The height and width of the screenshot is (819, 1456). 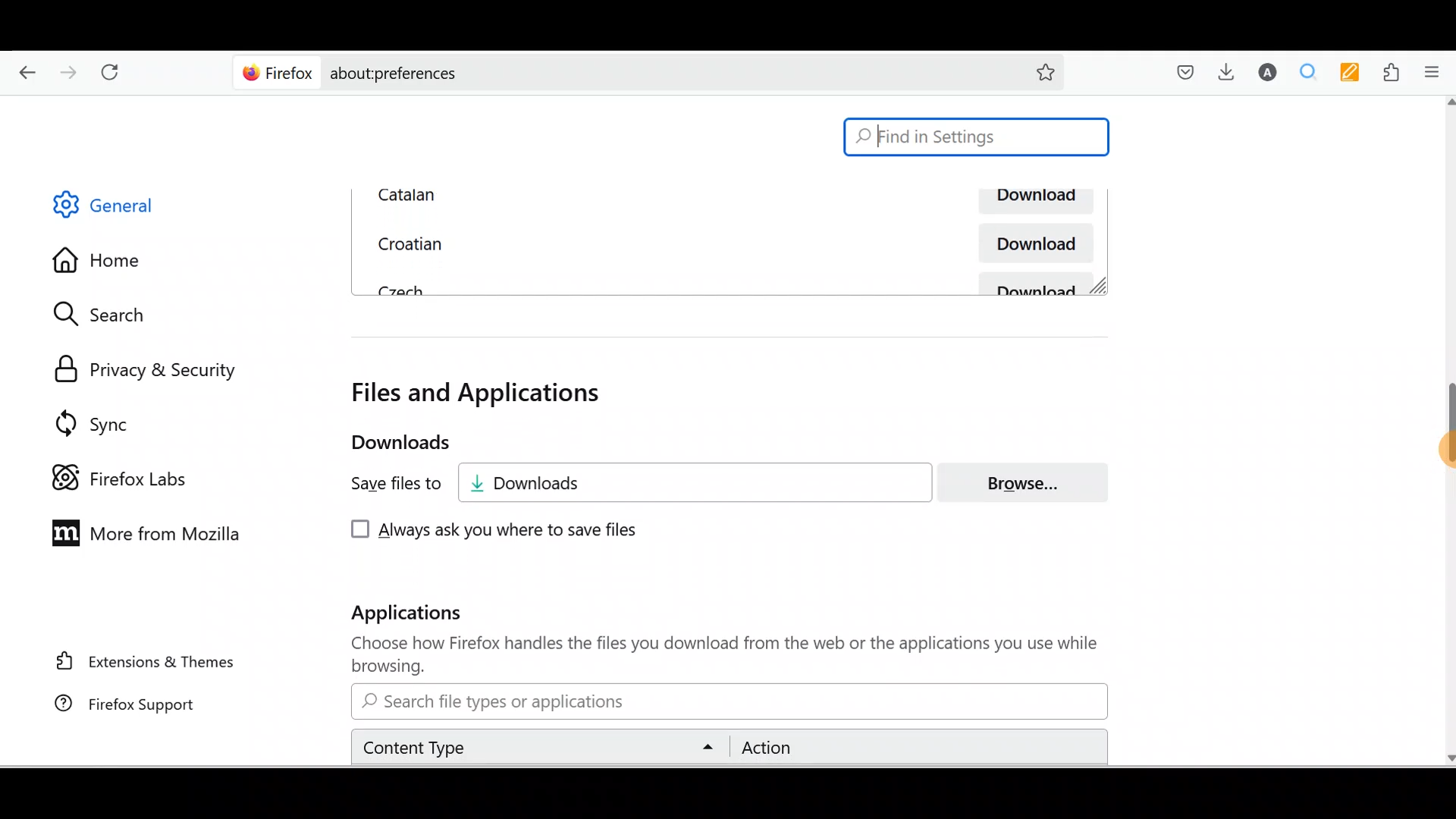 I want to click on Search settings, so click(x=113, y=315).